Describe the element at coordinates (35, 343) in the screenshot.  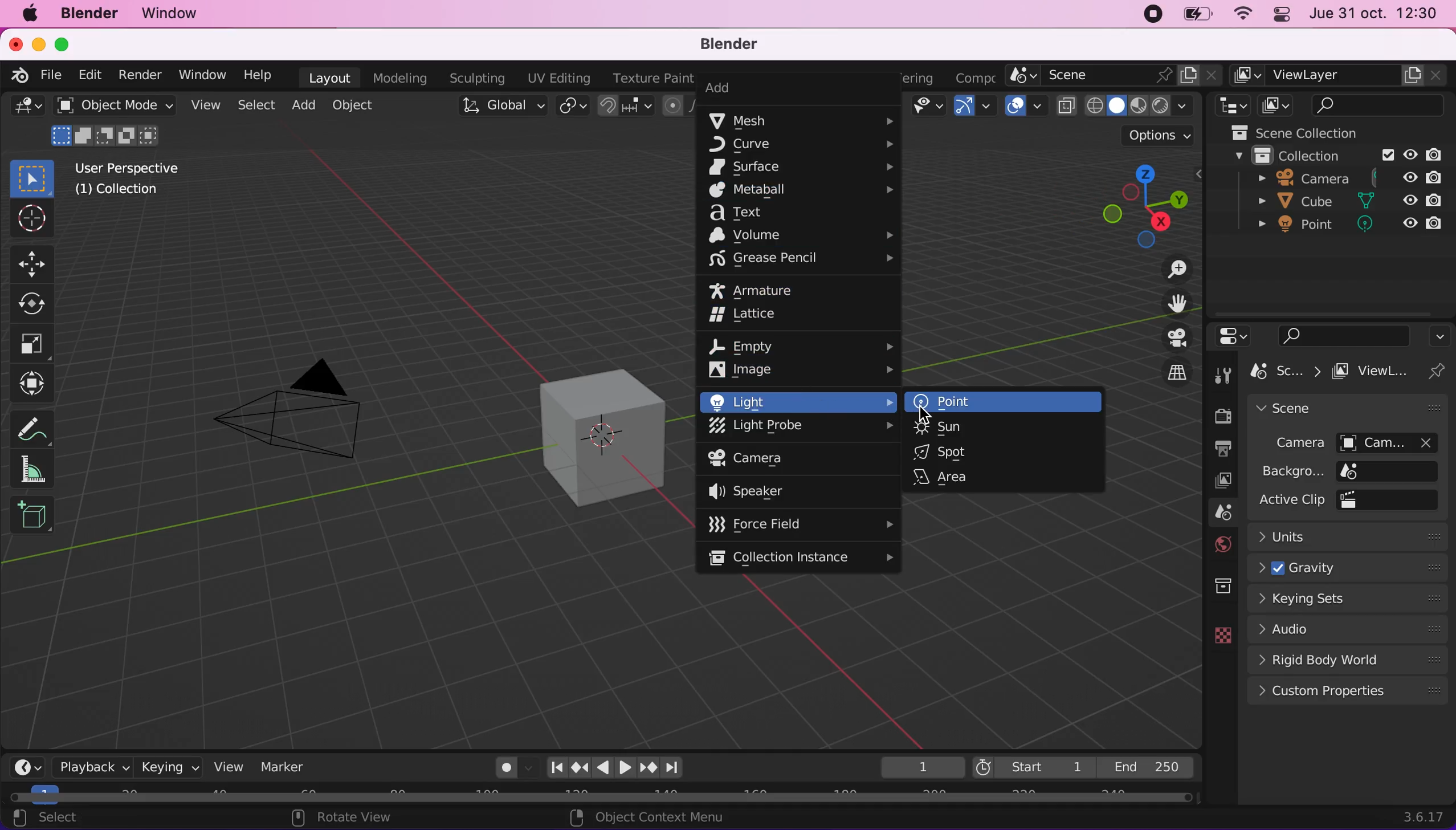
I see `scale` at that location.